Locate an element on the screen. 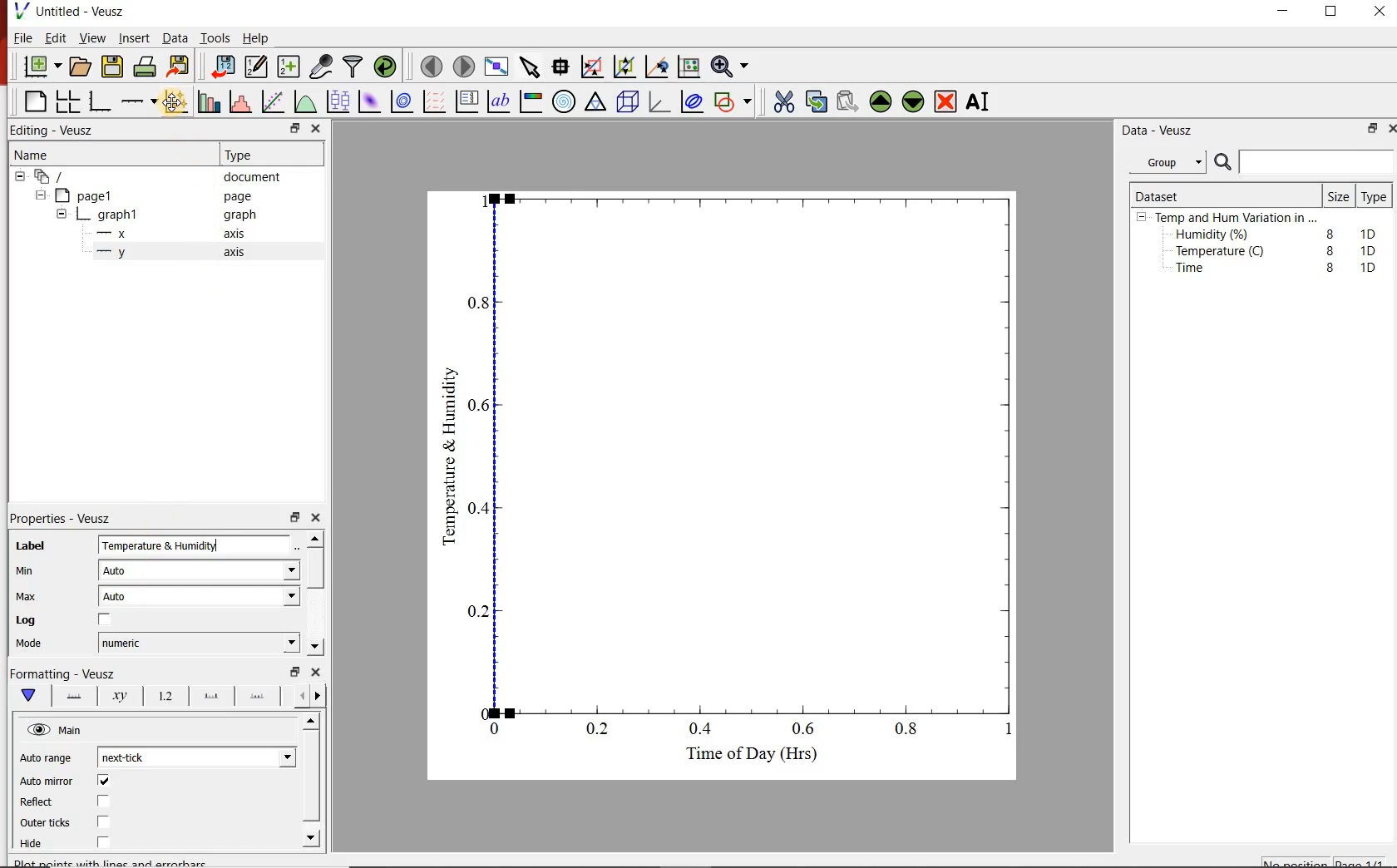 The image size is (1397, 868). copy the selected widget is located at coordinates (816, 101).